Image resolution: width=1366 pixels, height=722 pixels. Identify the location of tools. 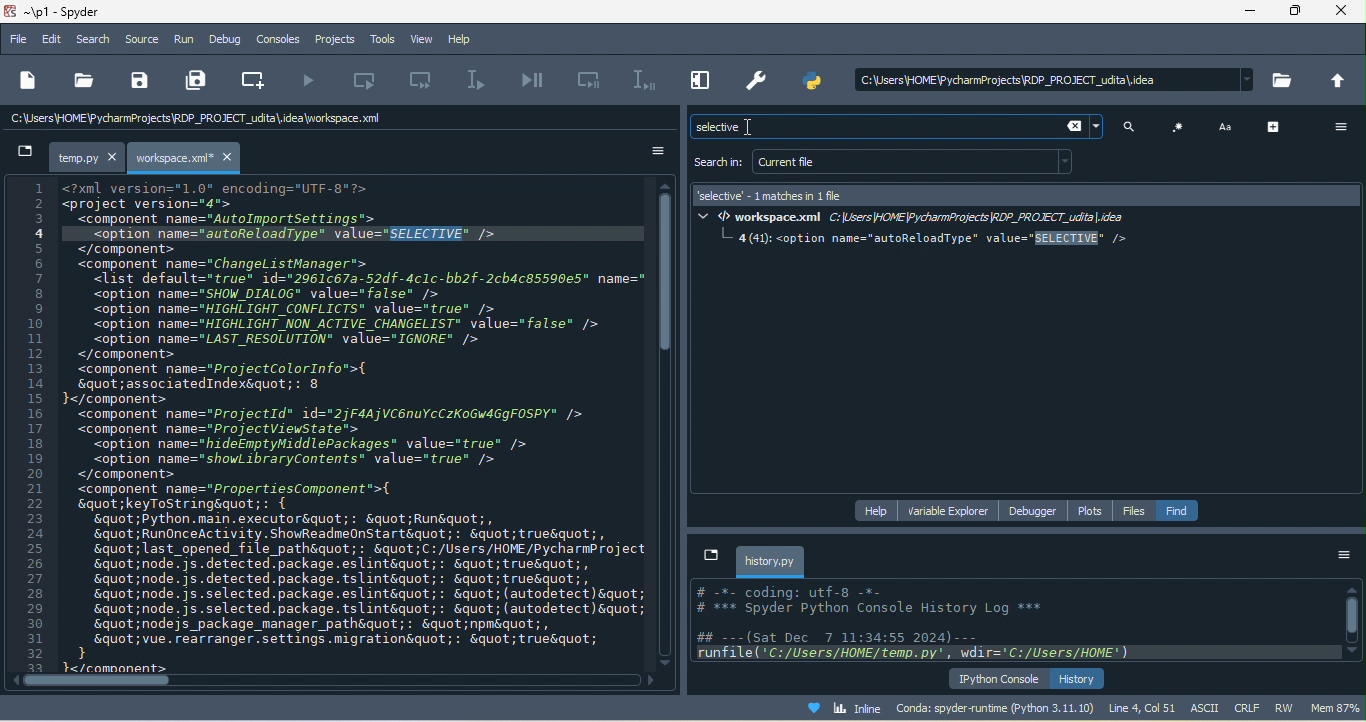
(379, 40).